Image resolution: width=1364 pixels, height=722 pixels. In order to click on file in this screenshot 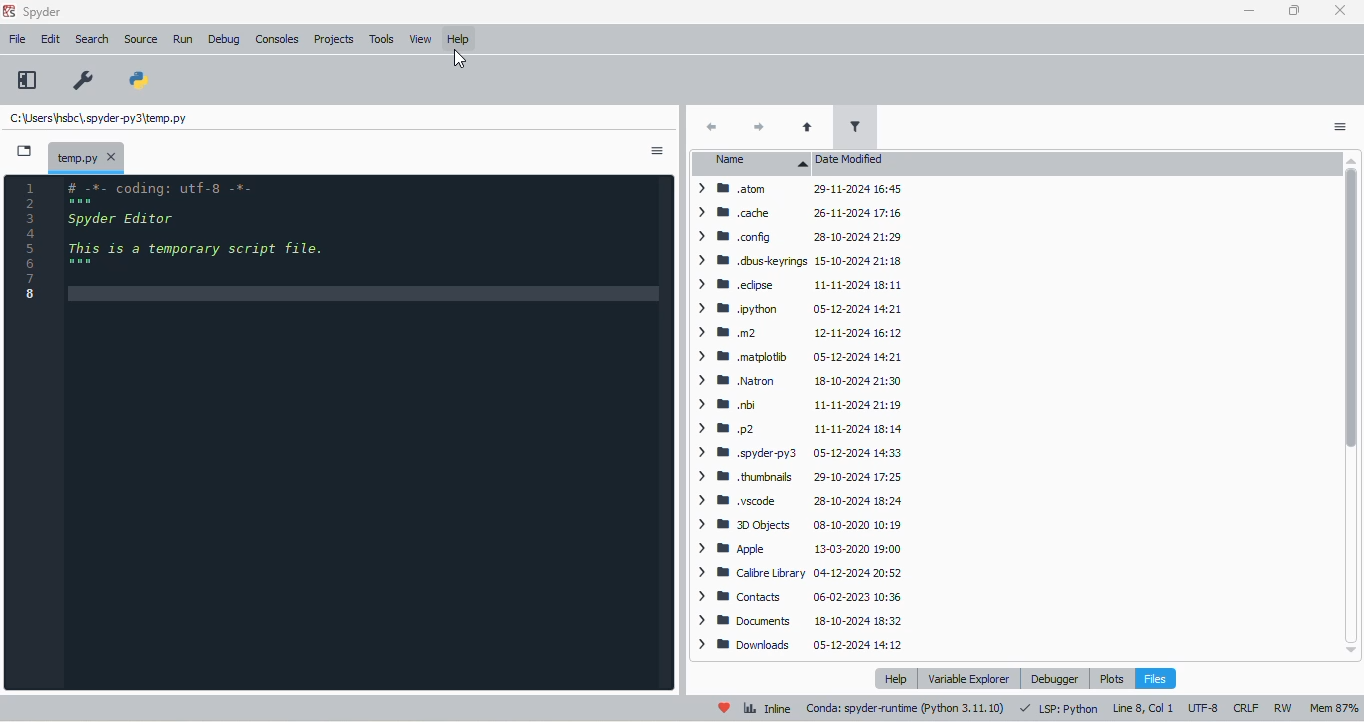, I will do `click(19, 39)`.